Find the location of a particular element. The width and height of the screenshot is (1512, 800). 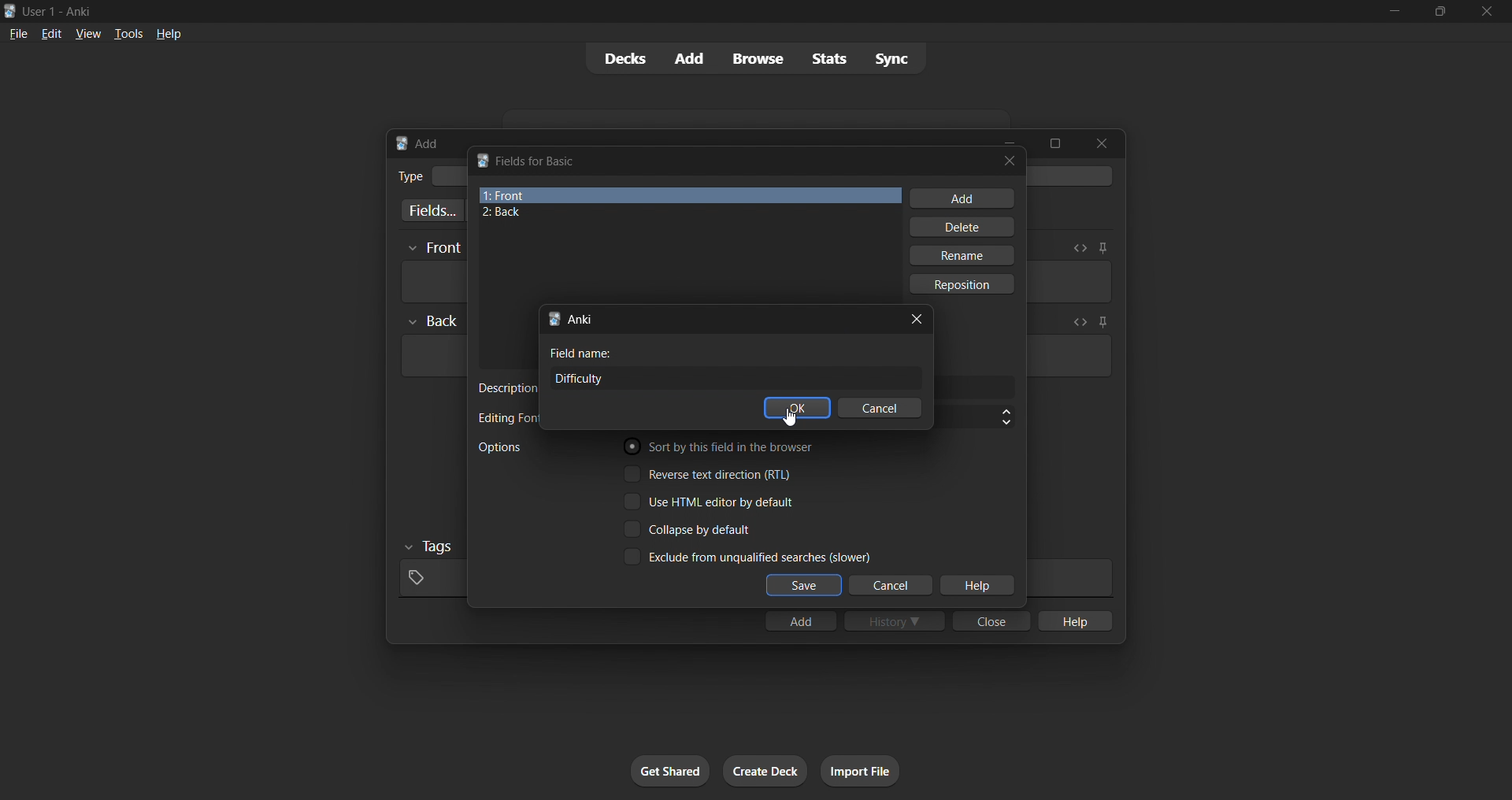

card tags input is located at coordinates (430, 579).